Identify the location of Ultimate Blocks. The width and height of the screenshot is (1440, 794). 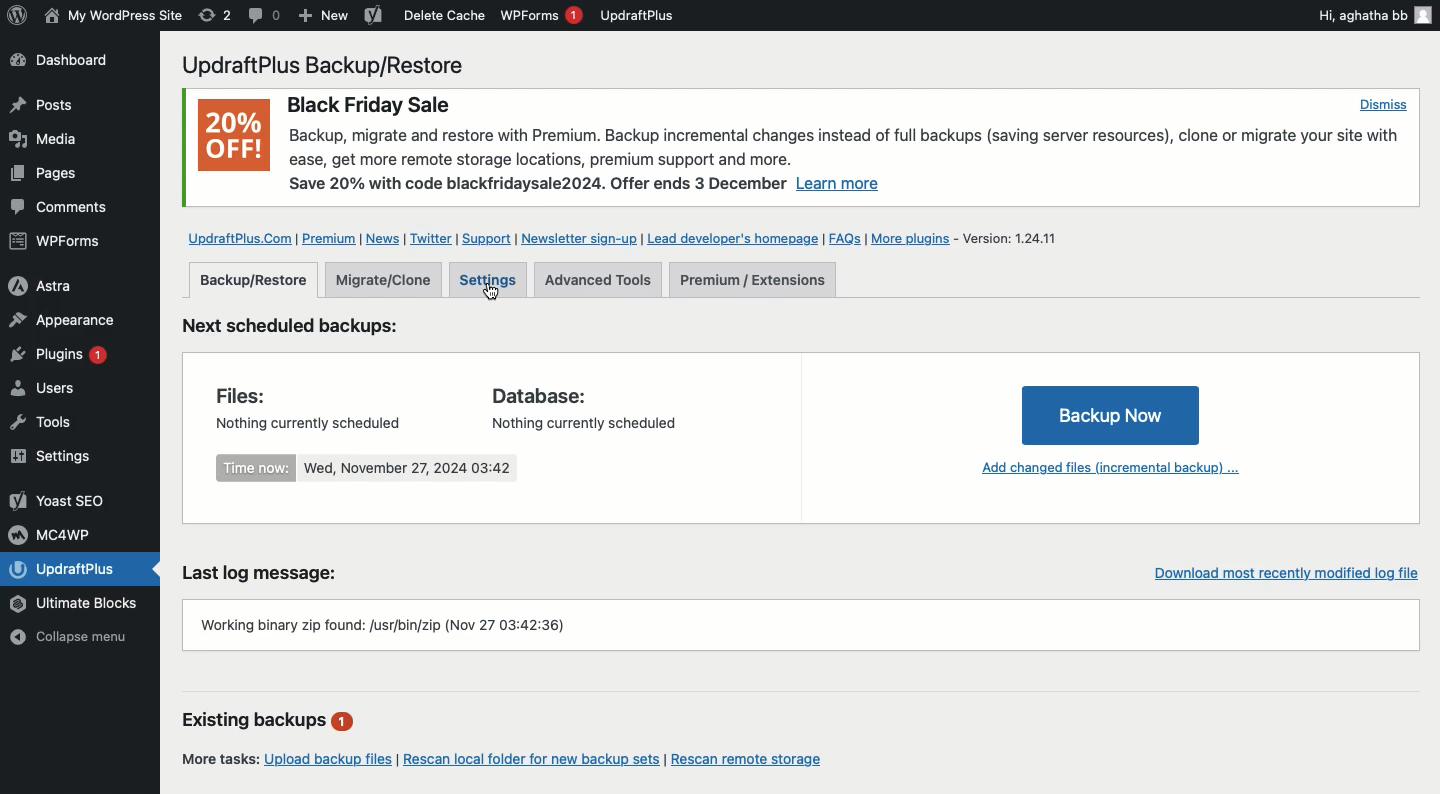
(77, 605).